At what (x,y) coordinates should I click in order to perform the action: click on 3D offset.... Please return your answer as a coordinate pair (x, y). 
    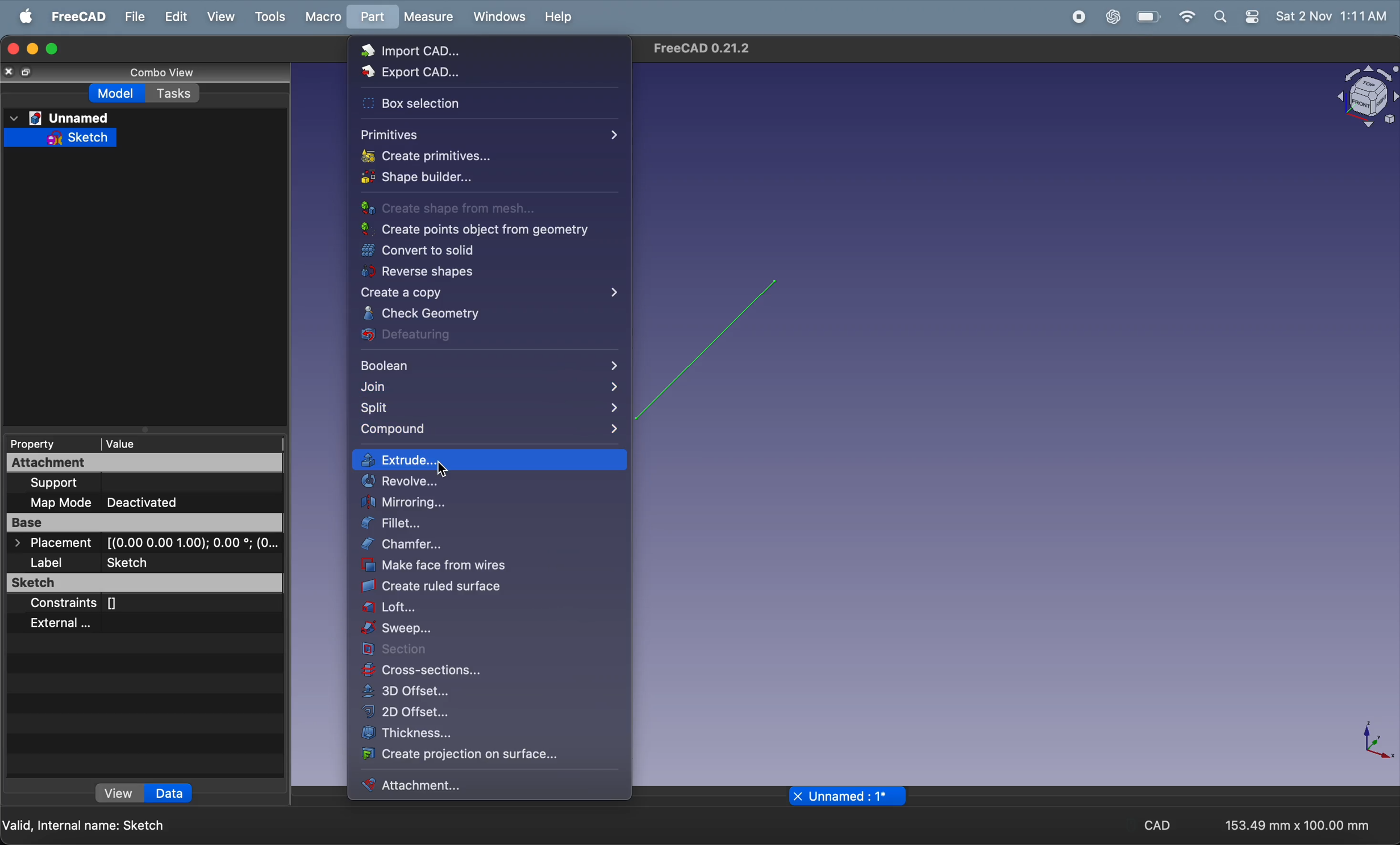
    Looking at the image, I should click on (477, 692).